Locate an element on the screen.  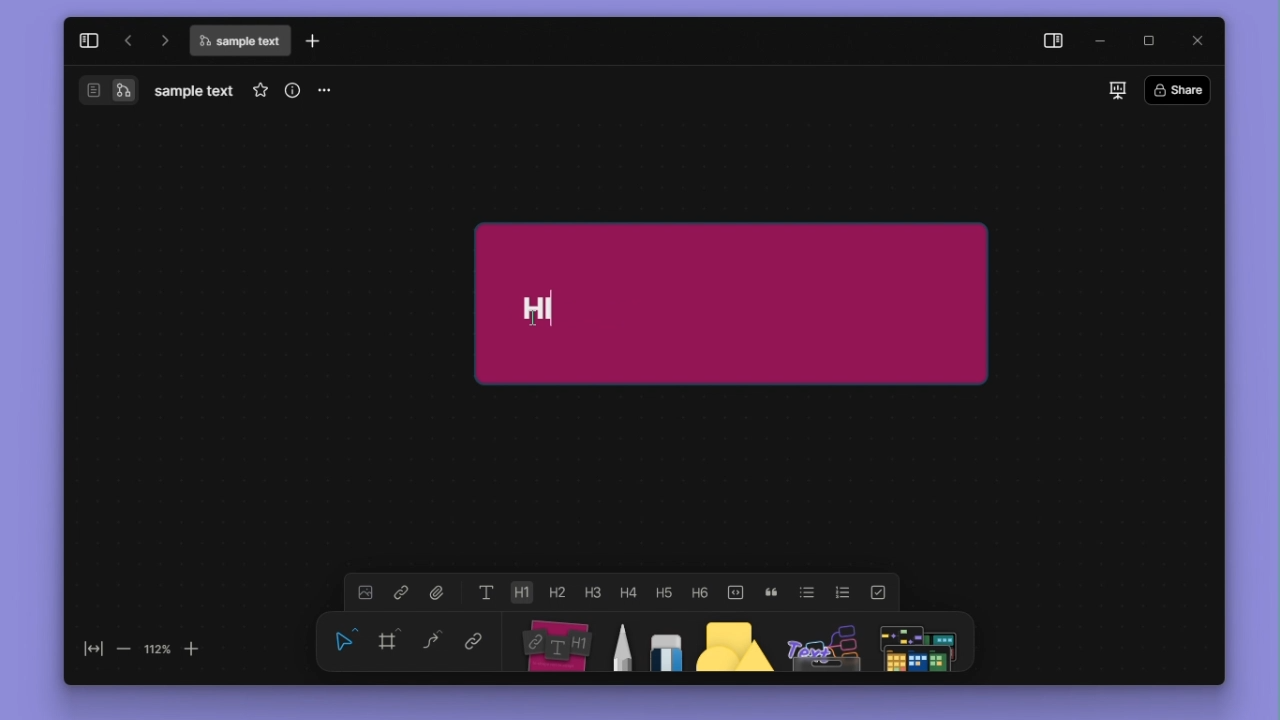
text is located at coordinates (487, 592).